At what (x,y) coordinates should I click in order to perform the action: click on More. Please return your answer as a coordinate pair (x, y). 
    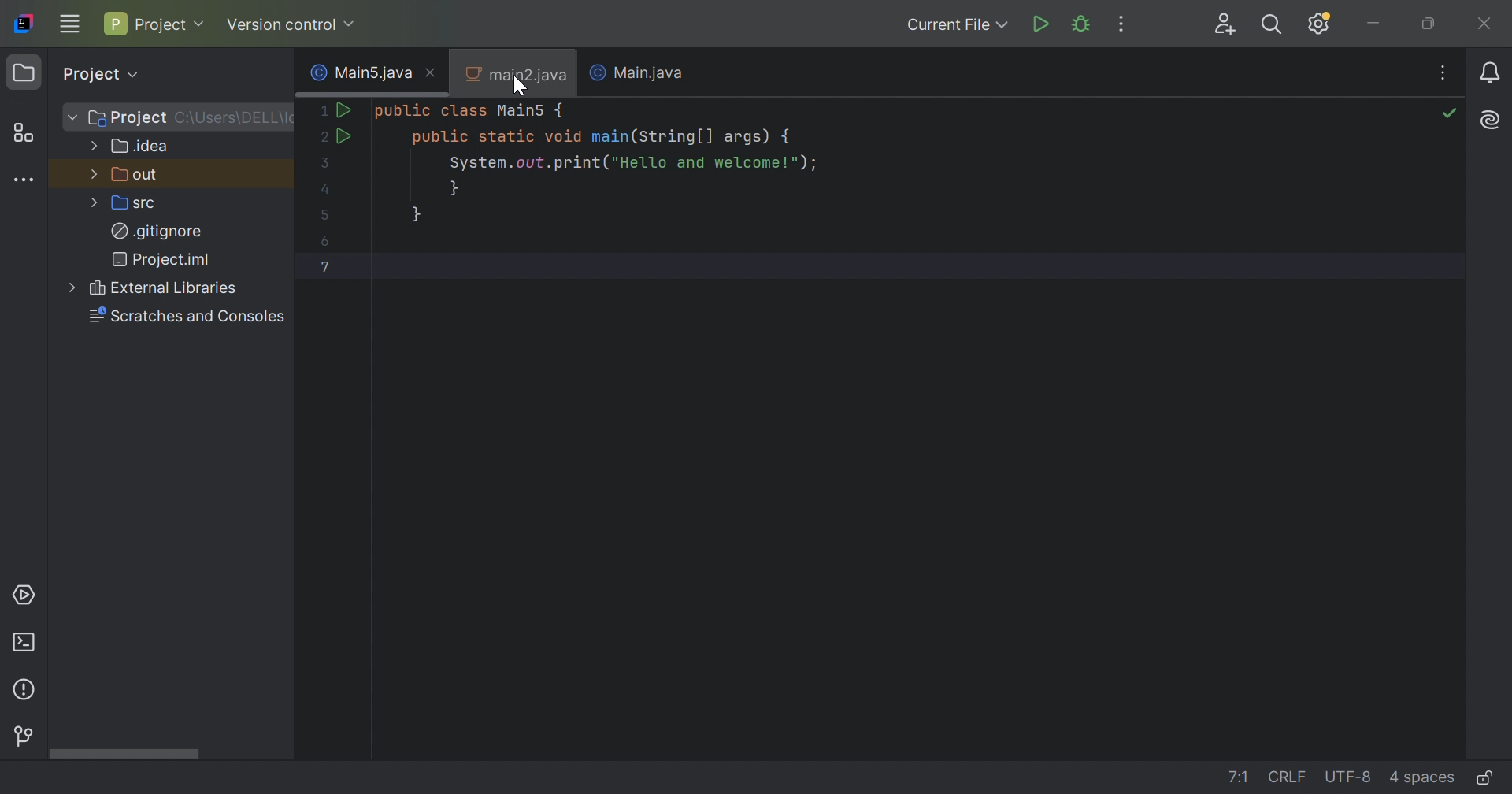
    Looking at the image, I should click on (95, 204).